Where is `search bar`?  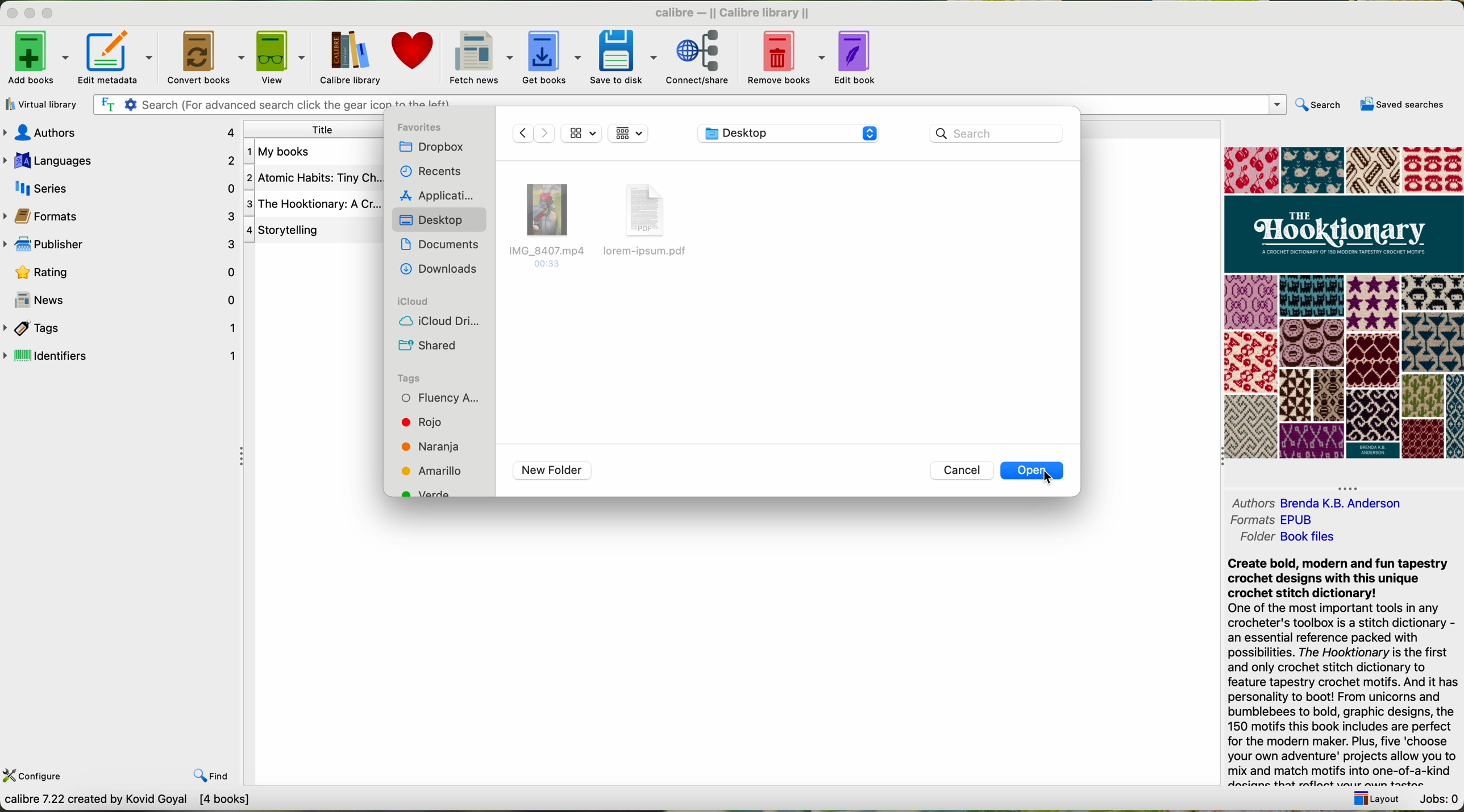
search bar is located at coordinates (691, 105).